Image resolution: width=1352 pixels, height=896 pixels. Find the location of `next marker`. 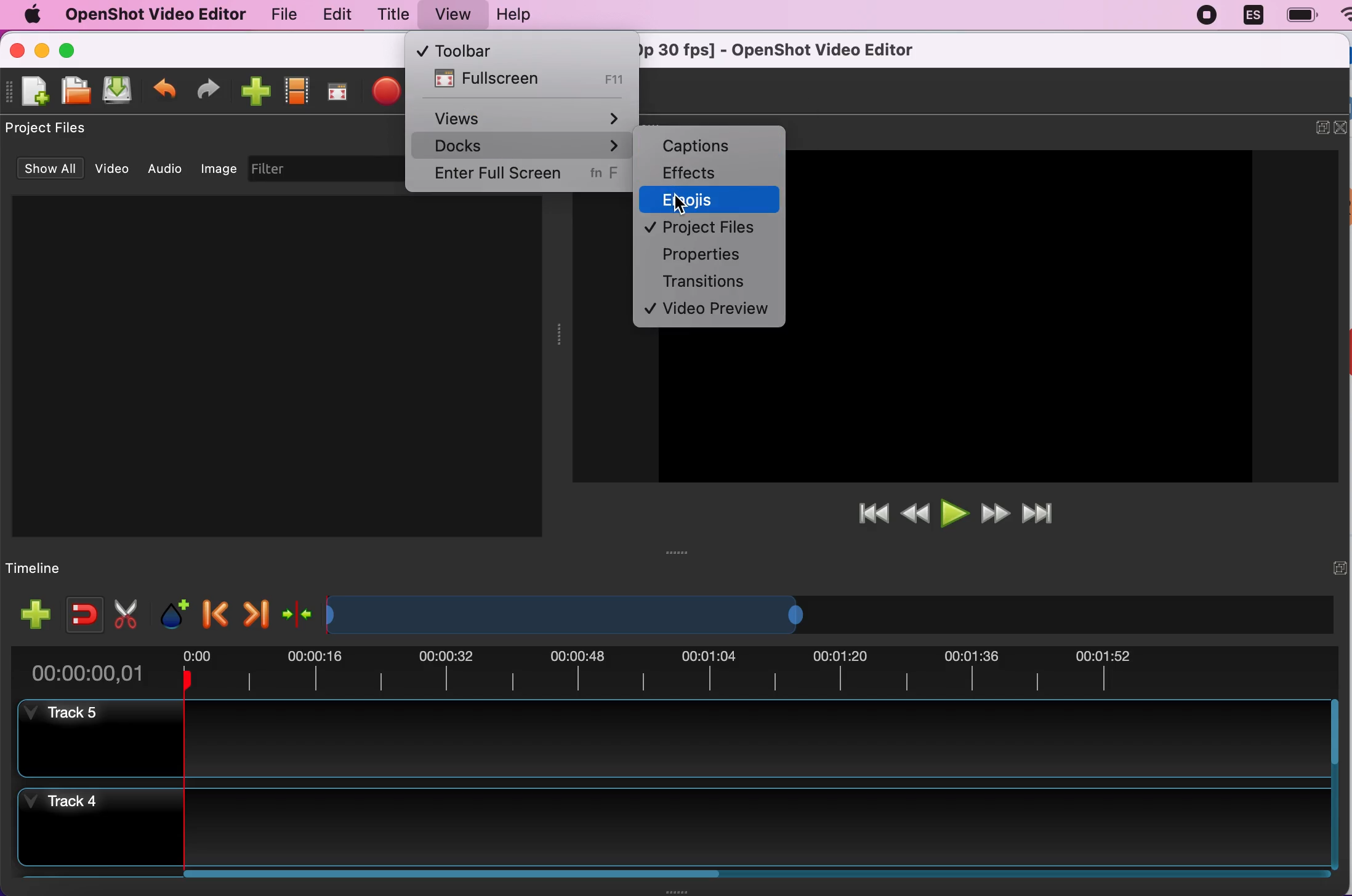

next marker is located at coordinates (254, 611).